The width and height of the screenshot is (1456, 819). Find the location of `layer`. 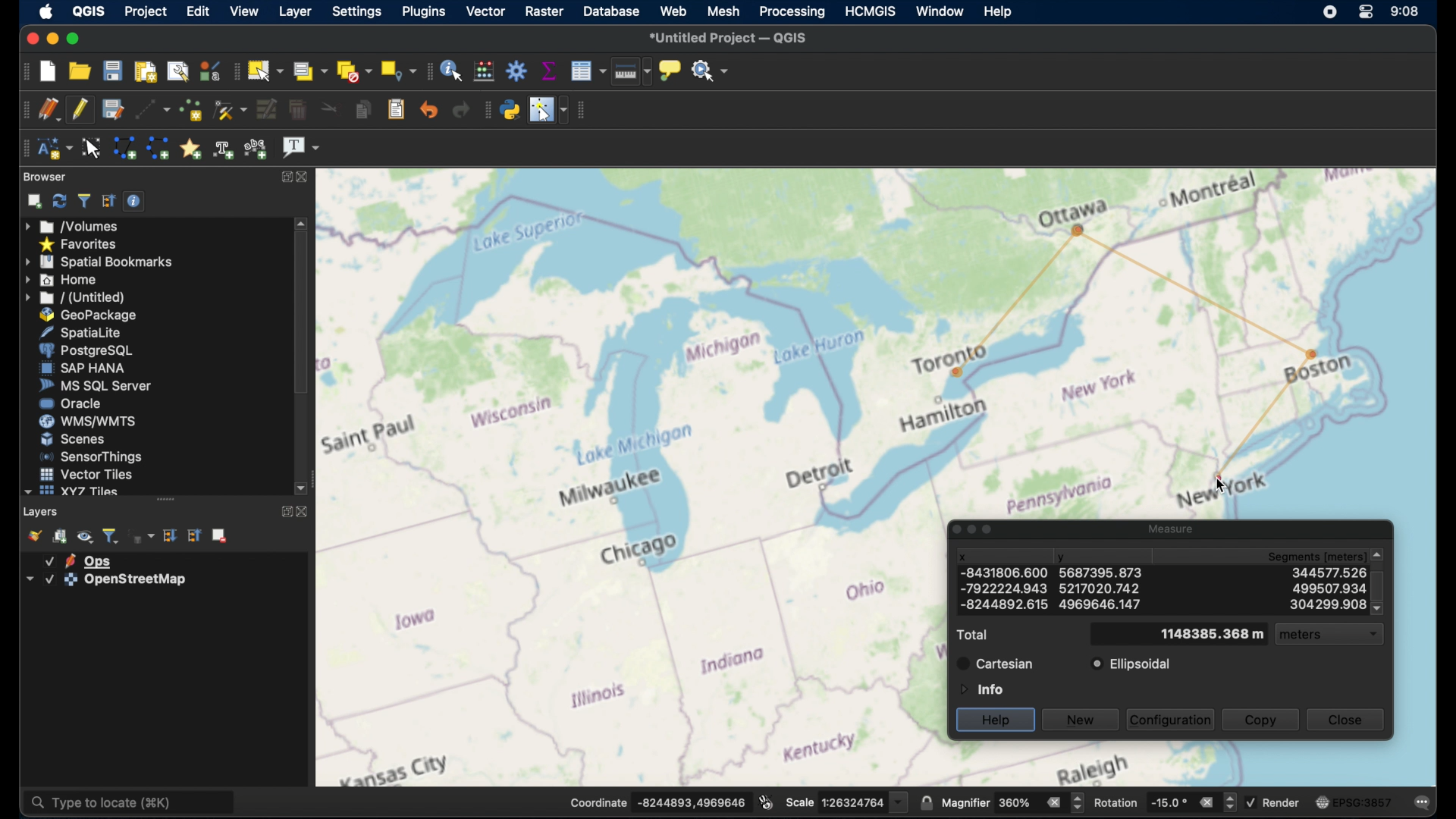

layer is located at coordinates (293, 11).